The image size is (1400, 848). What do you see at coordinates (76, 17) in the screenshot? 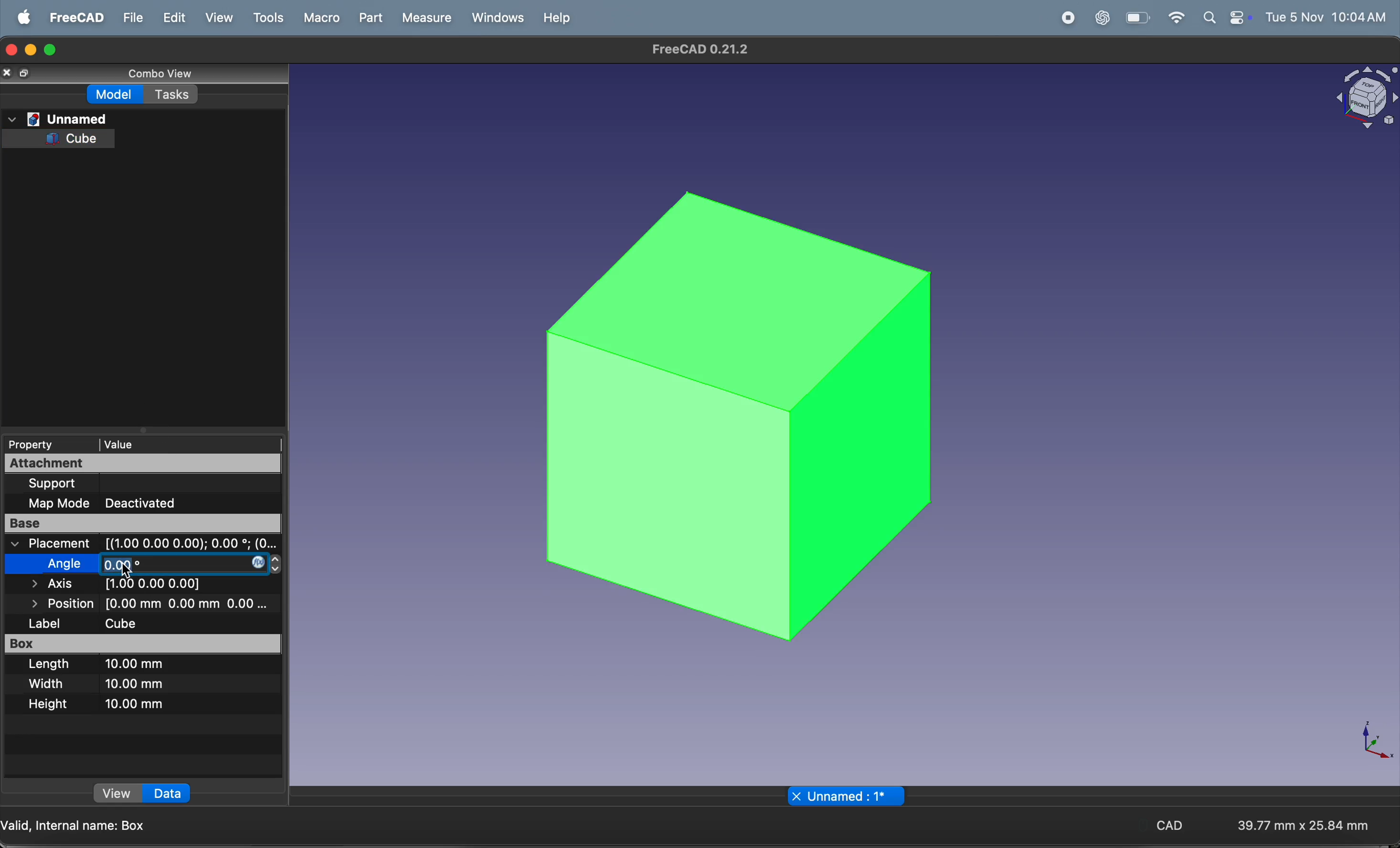
I see `freecad` at bounding box center [76, 17].